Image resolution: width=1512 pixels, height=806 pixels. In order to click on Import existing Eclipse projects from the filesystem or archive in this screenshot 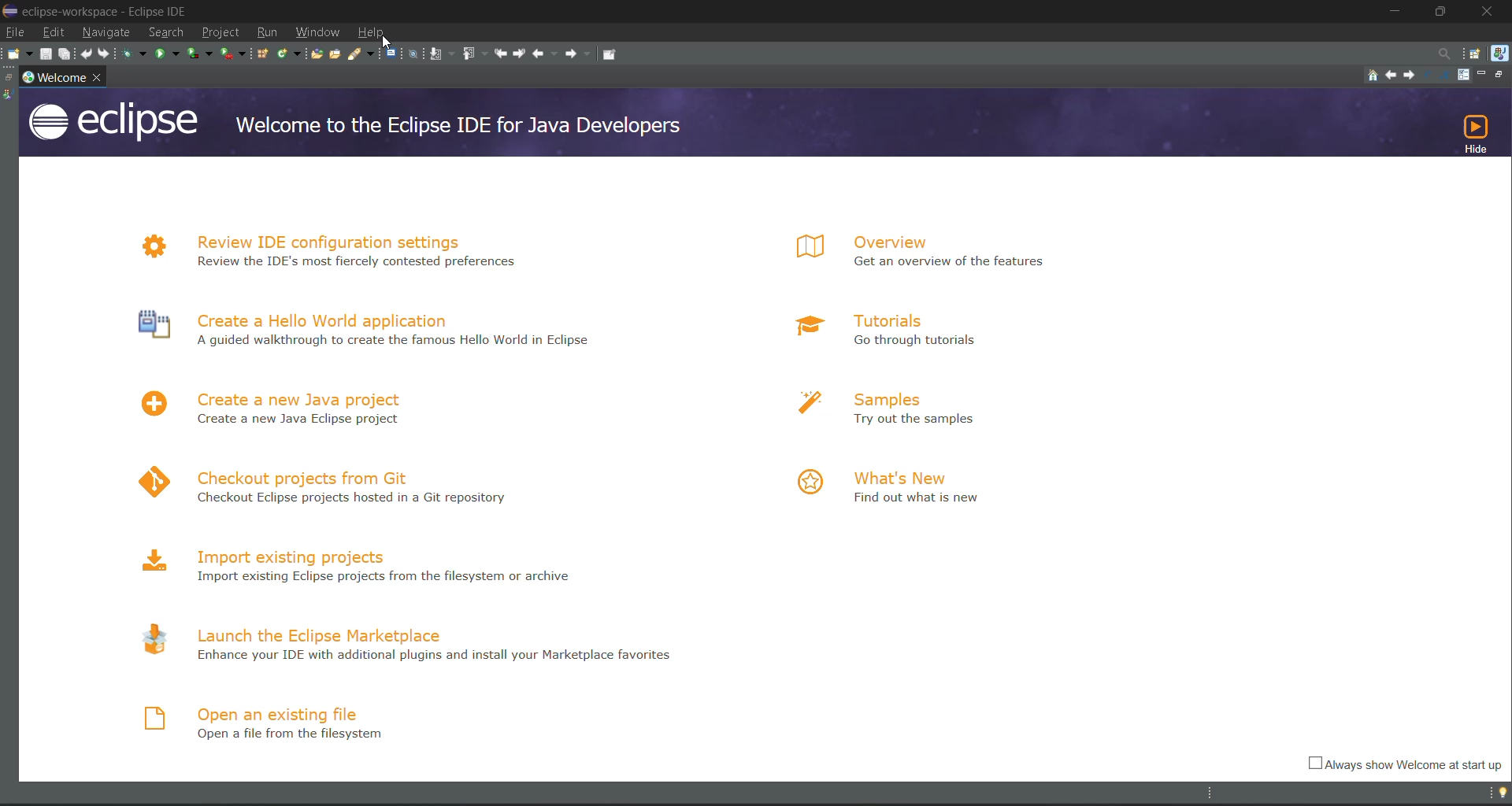, I will do `click(387, 577)`.